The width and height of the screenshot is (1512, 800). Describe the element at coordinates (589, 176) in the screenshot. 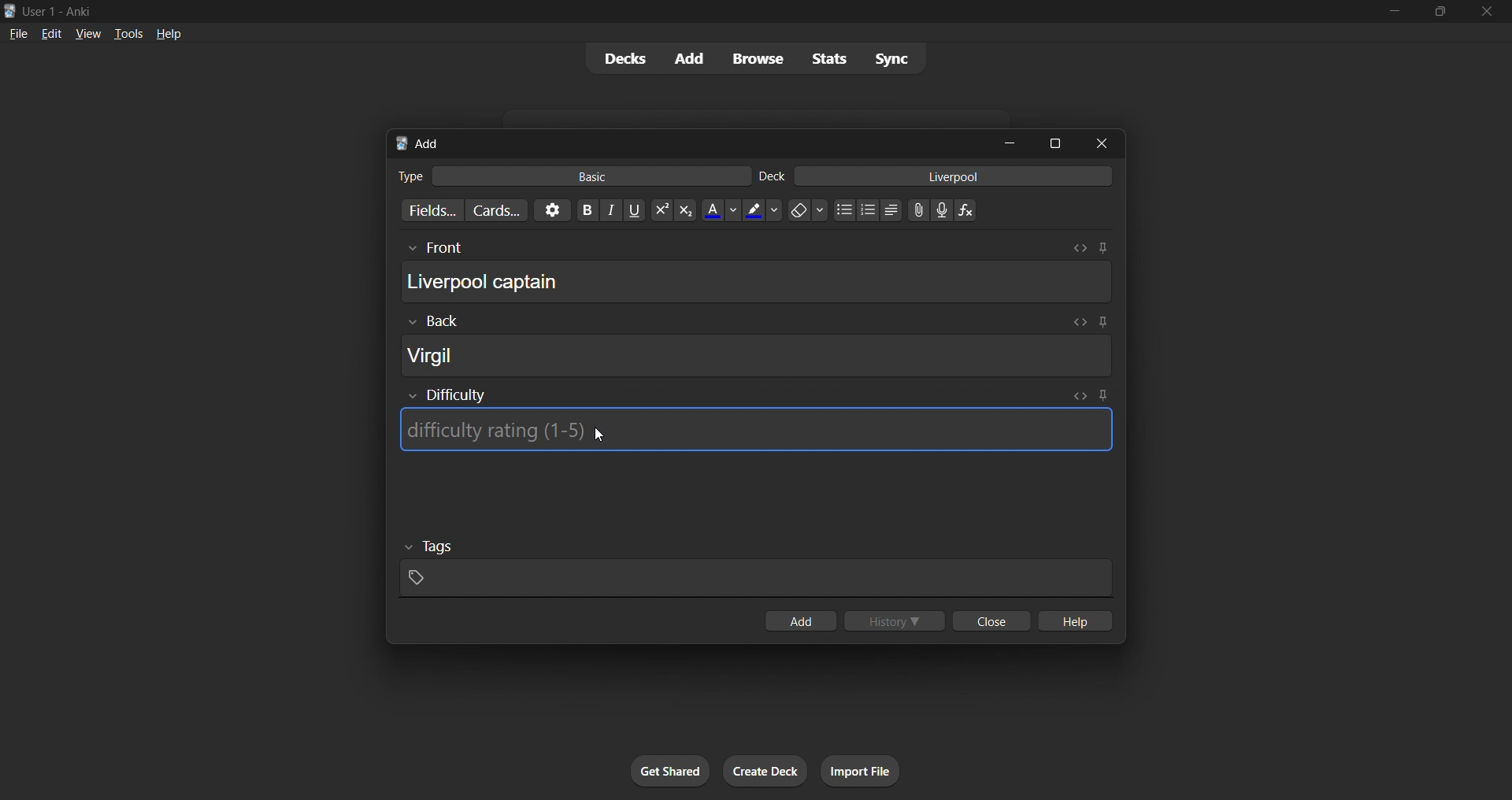

I see `basic card type` at that location.